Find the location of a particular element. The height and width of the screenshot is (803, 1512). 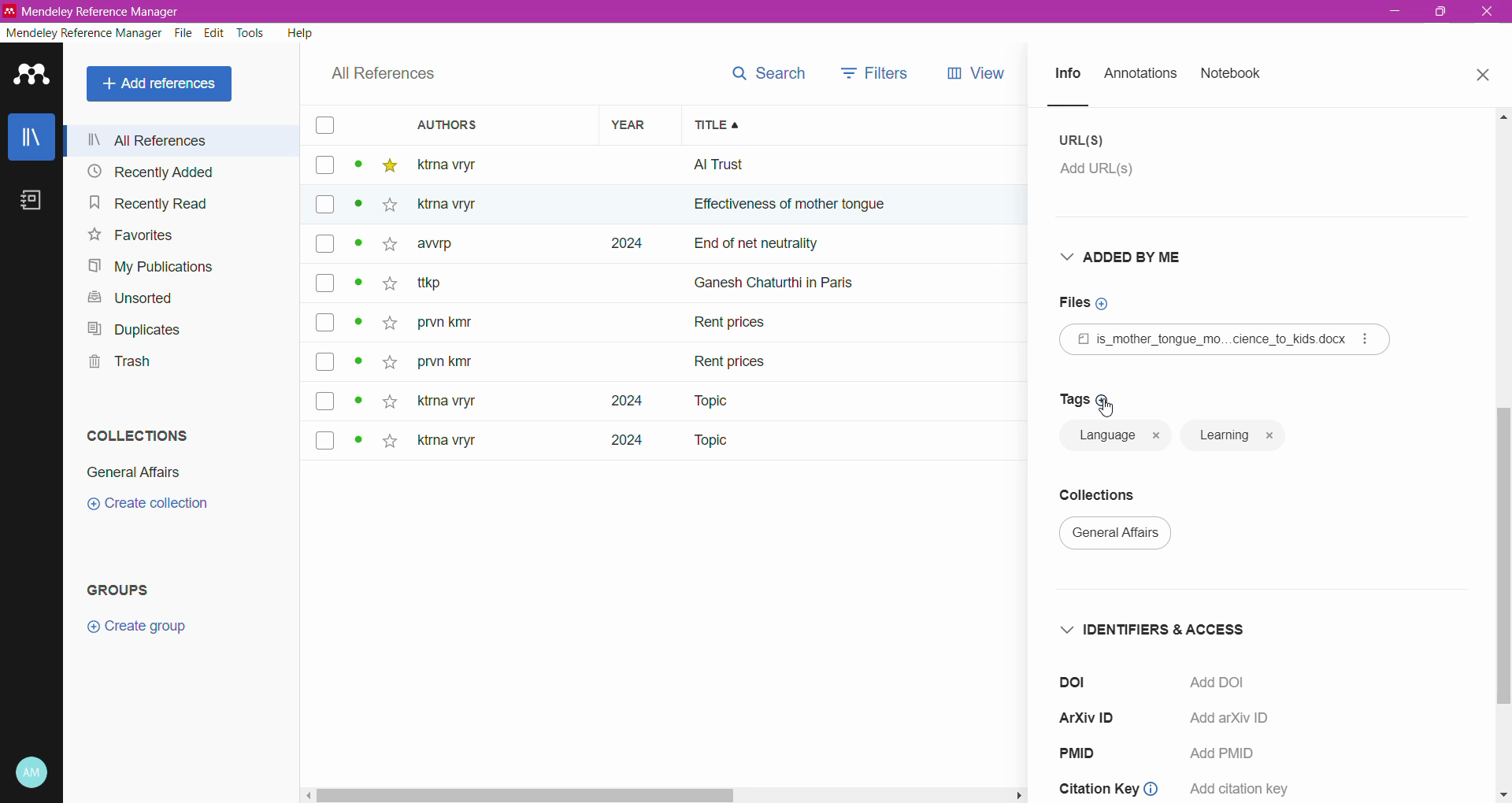

Add arXiv ID is located at coordinates (1225, 722).